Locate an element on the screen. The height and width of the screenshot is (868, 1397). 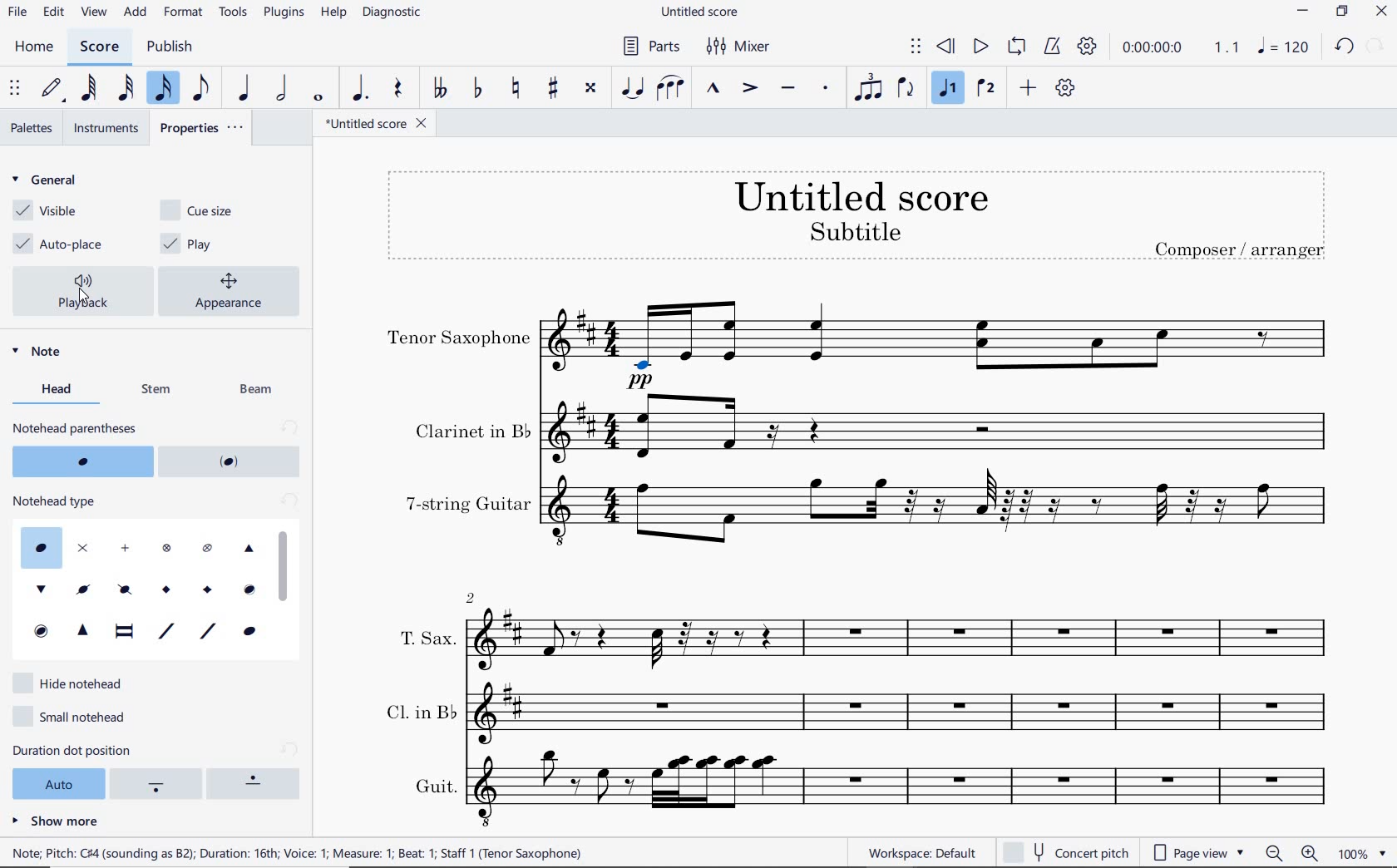
instruments is located at coordinates (104, 128).